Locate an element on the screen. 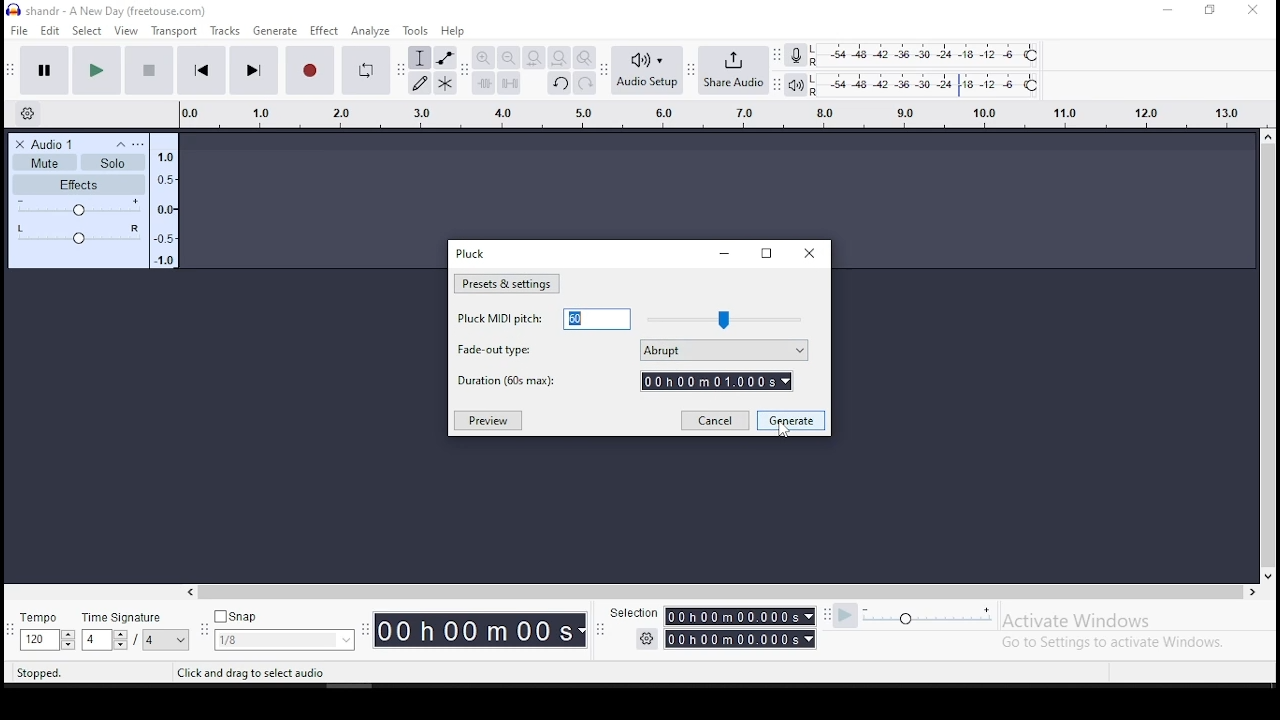  multi tool is located at coordinates (446, 82).